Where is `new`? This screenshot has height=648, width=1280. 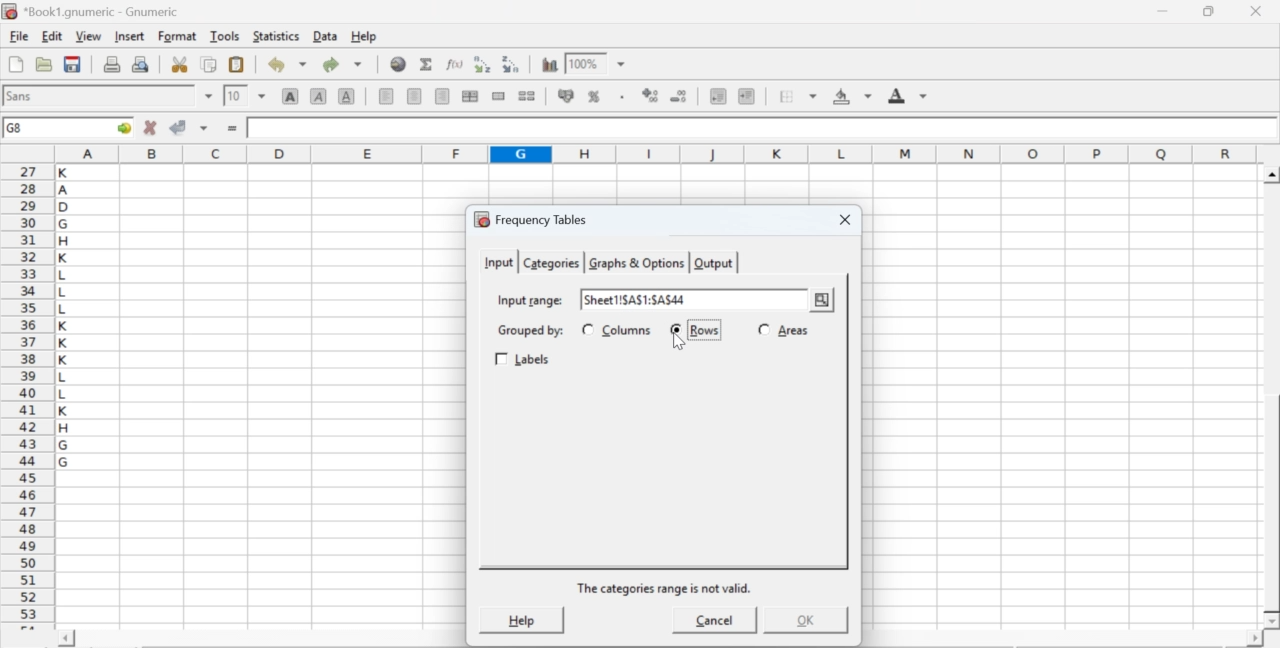 new is located at coordinates (15, 64).